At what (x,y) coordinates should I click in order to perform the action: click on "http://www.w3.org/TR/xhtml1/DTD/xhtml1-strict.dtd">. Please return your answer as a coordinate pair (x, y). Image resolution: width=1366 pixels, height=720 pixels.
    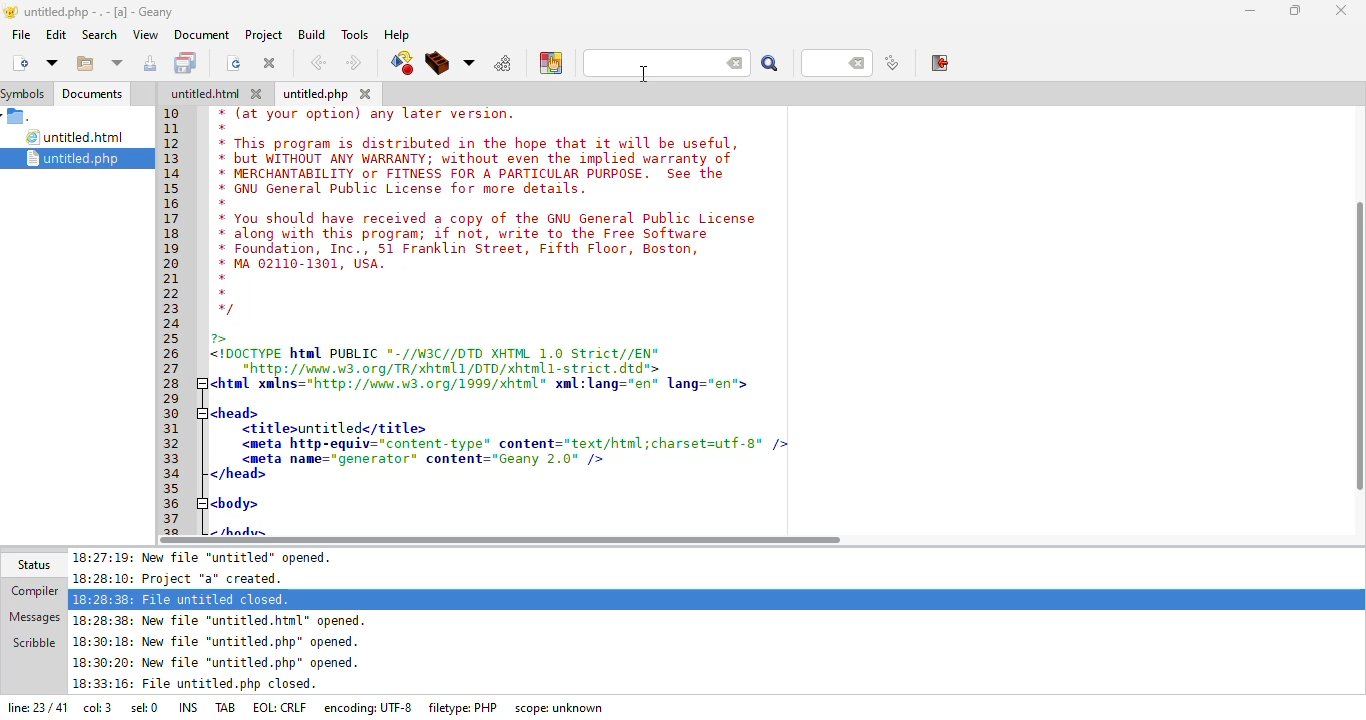
    Looking at the image, I should click on (437, 368).